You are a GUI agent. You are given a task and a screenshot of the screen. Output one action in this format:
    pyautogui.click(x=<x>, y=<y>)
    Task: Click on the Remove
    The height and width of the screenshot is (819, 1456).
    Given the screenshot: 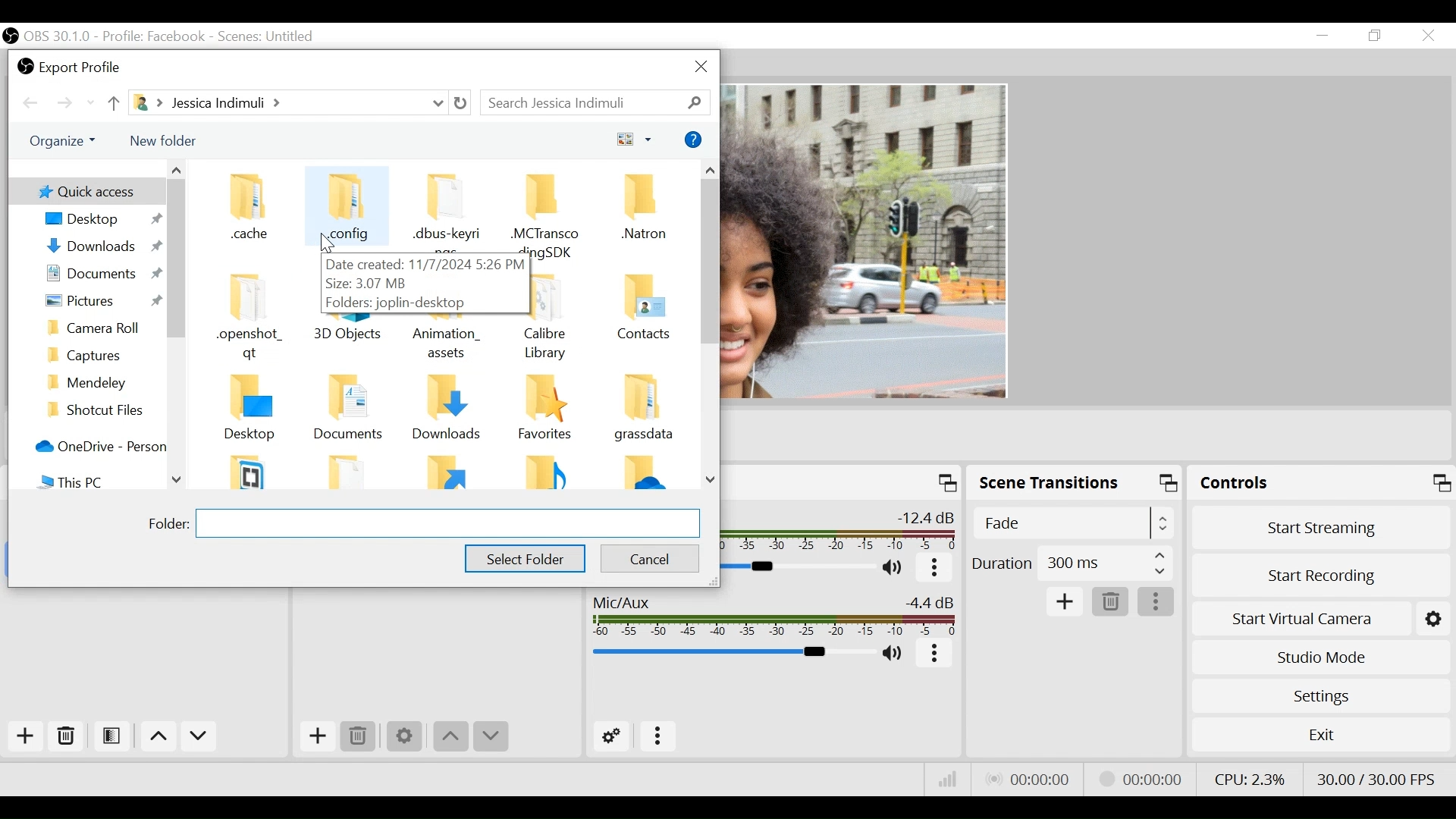 What is the action you would take?
    pyautogui.click(x=1112, y=602)
    